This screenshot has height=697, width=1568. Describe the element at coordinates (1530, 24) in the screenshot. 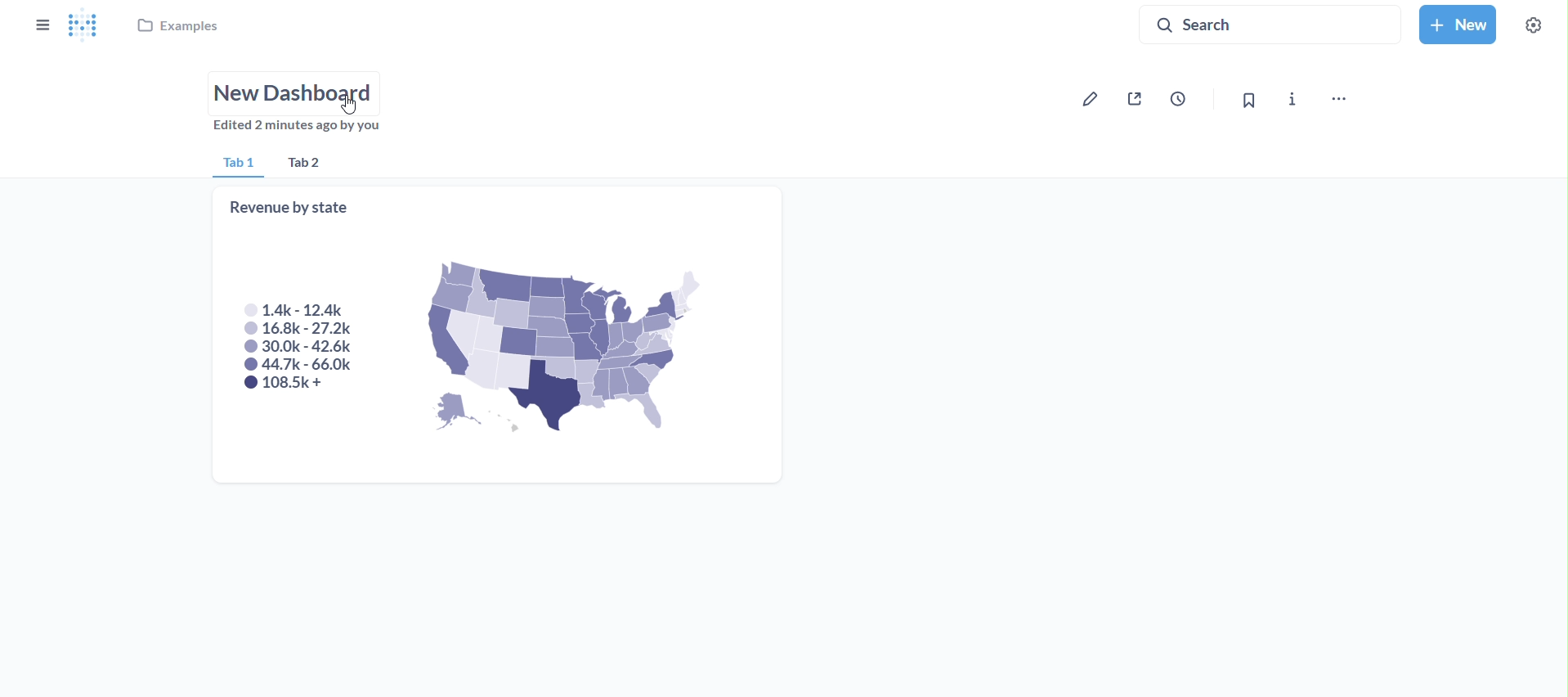

I see `settings` at that location.